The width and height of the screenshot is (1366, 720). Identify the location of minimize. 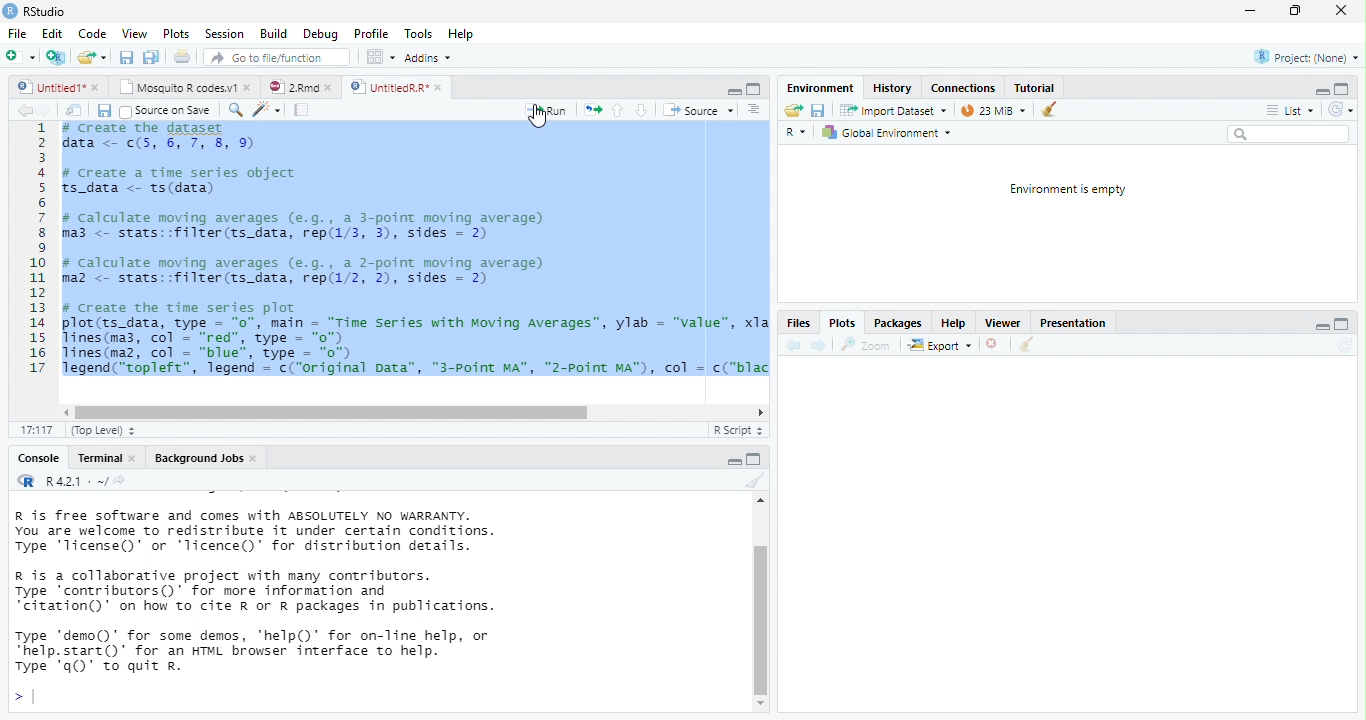
(1323, 329).